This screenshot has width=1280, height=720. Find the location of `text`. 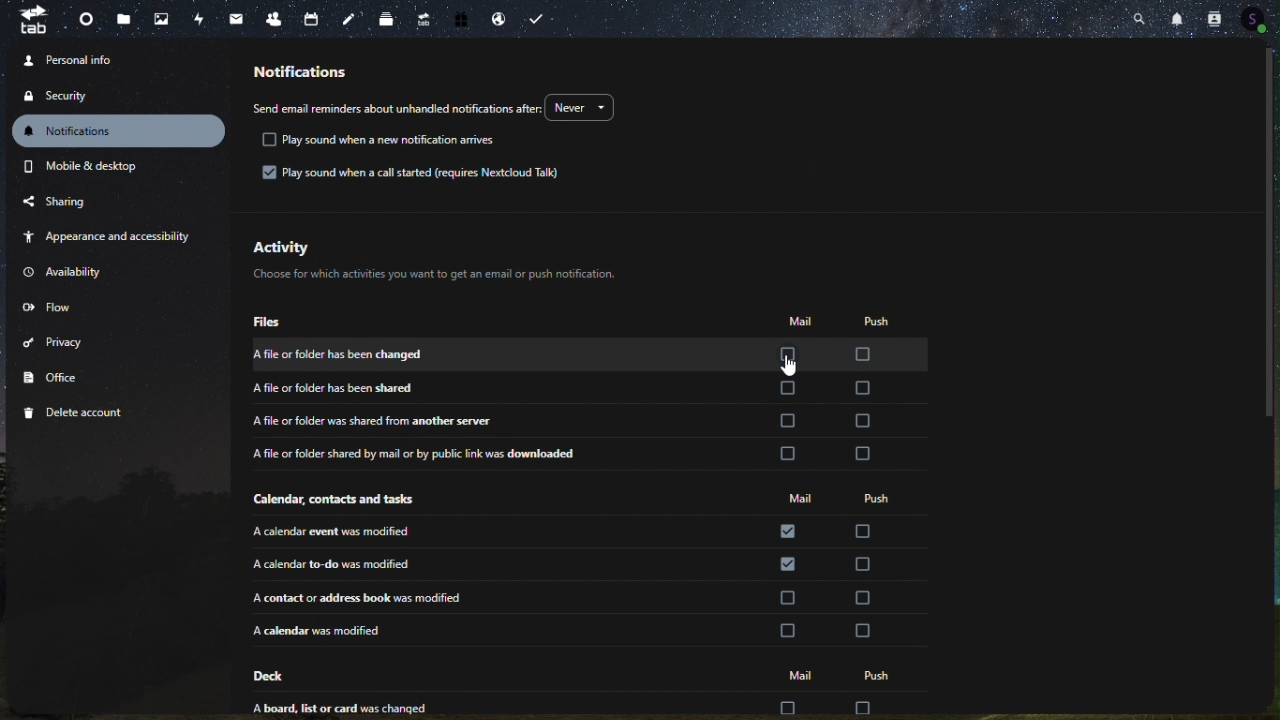

text is located at coordinates (394, 140).